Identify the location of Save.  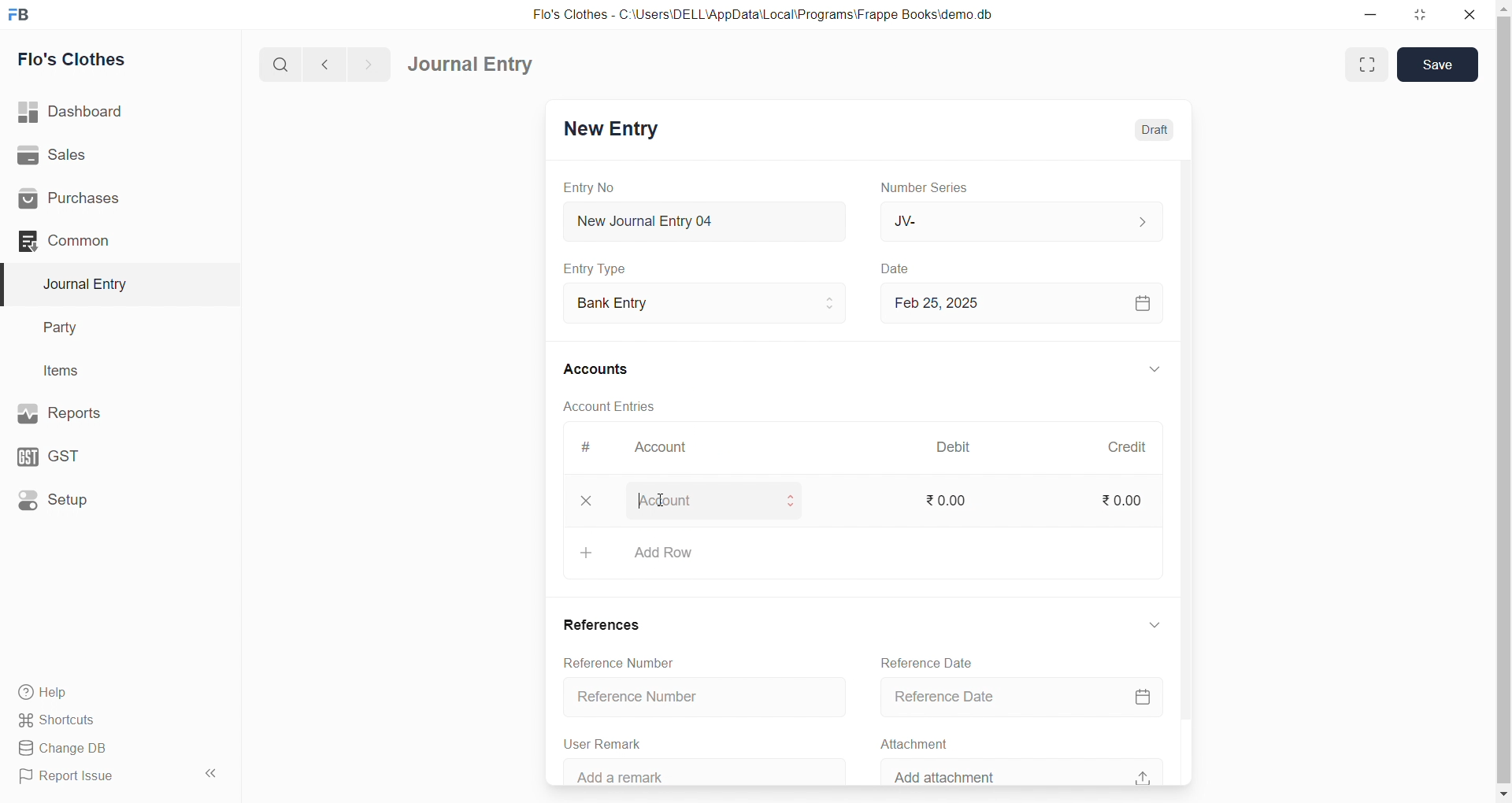
(1437, 65).